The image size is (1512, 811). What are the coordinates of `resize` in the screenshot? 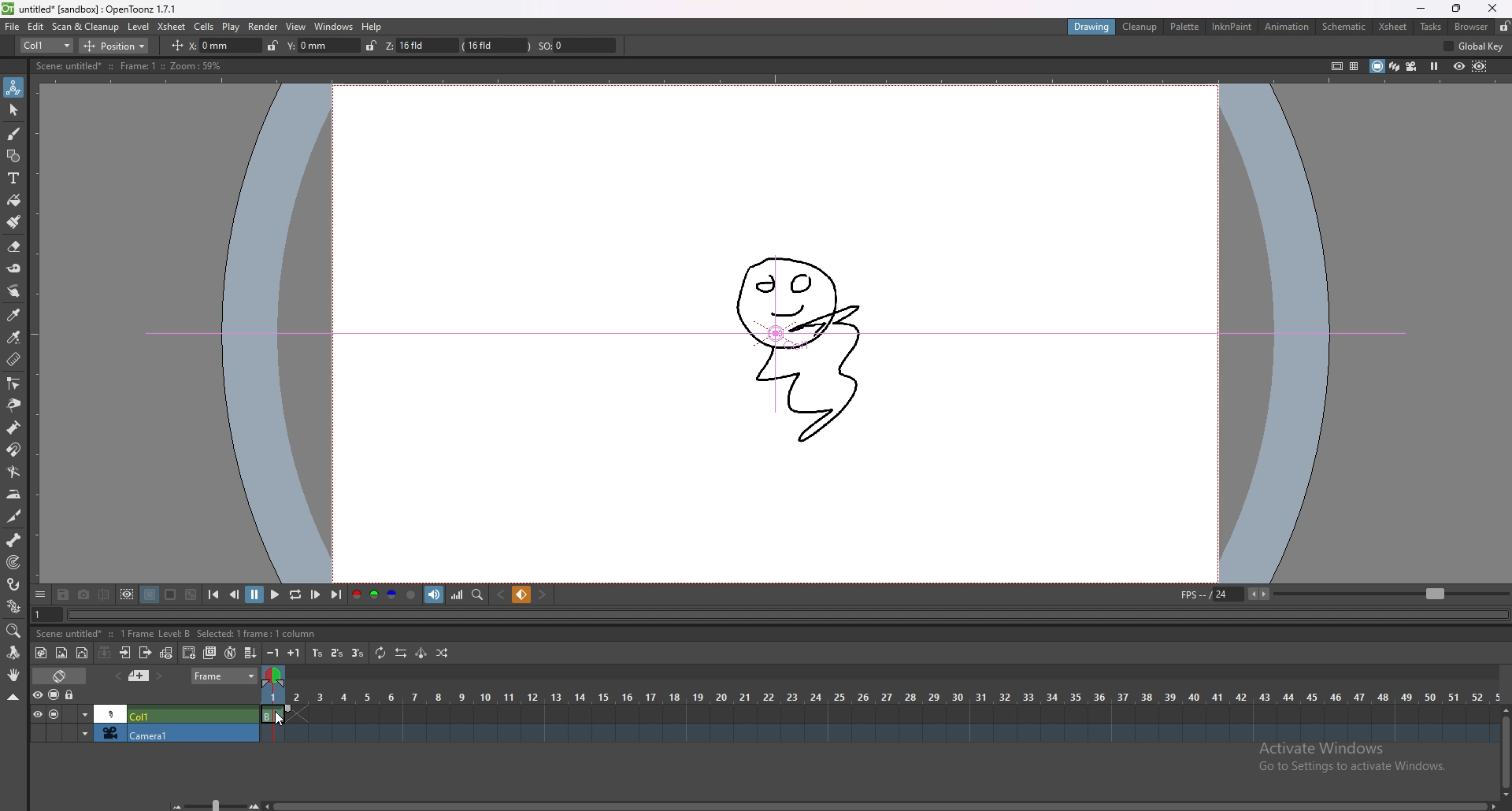 It's located at (1454, 9).